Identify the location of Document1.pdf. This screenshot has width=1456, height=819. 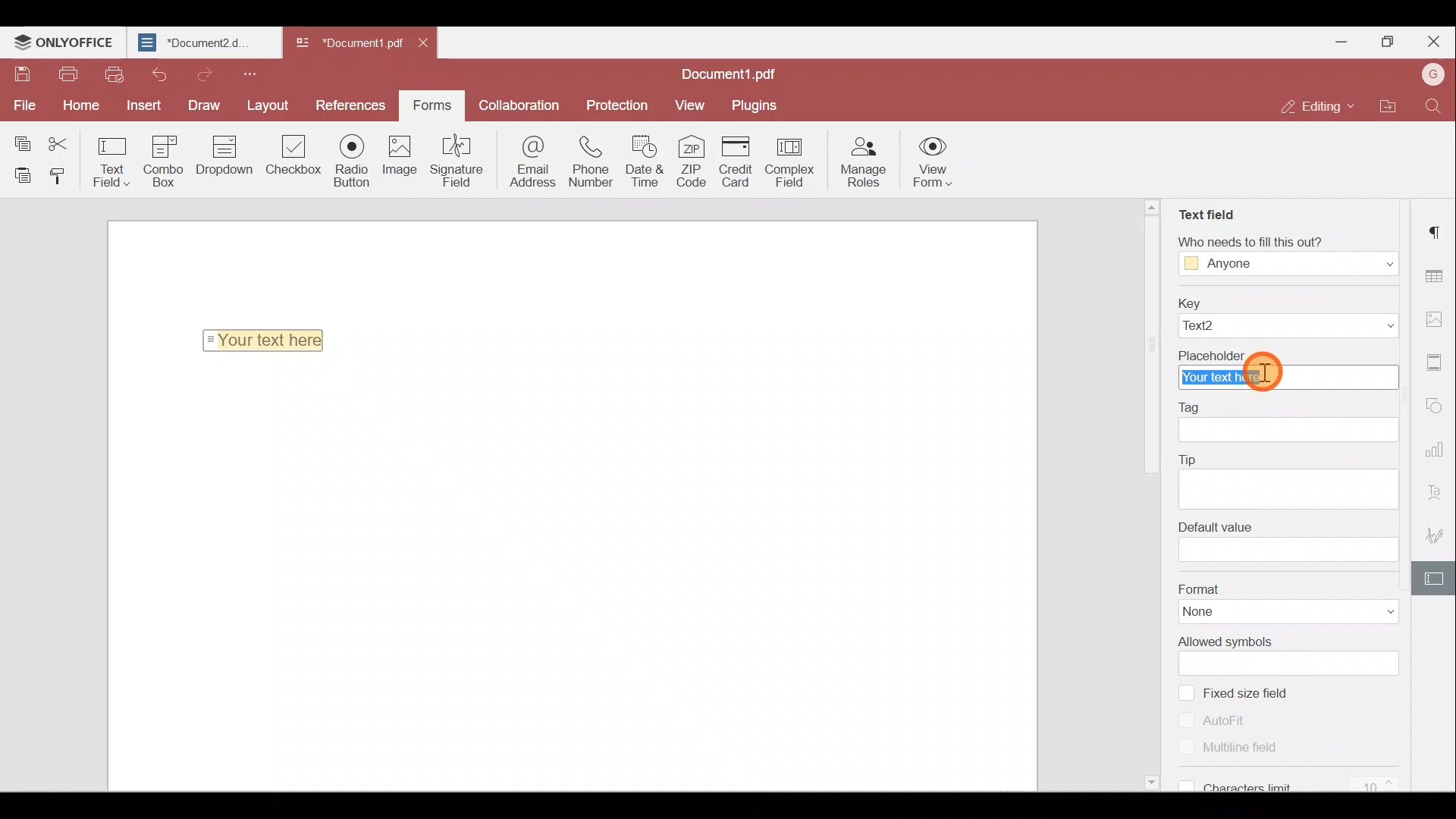
(737, 71).